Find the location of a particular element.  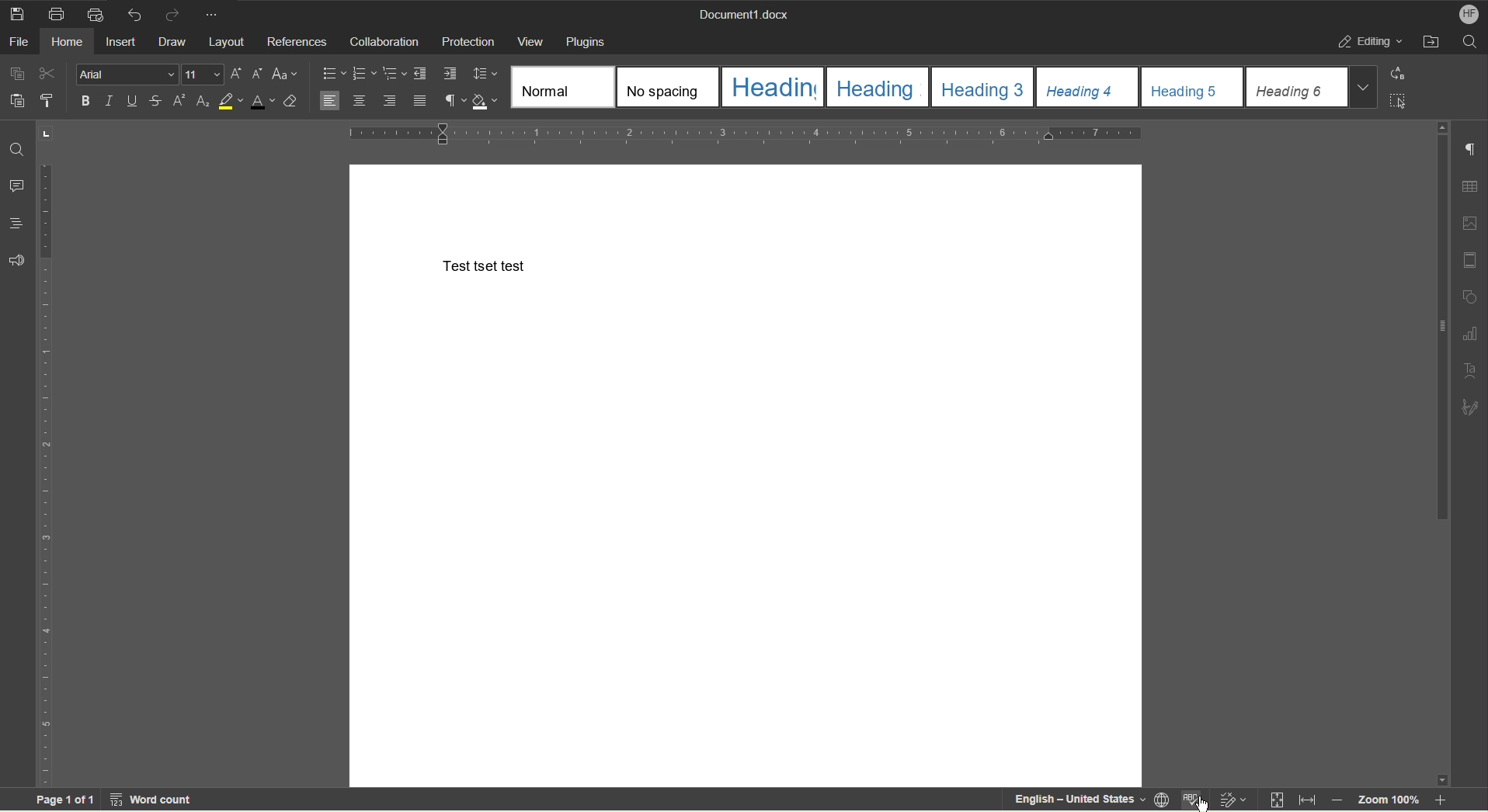

Centre Align is located at coordinates (360, 102).